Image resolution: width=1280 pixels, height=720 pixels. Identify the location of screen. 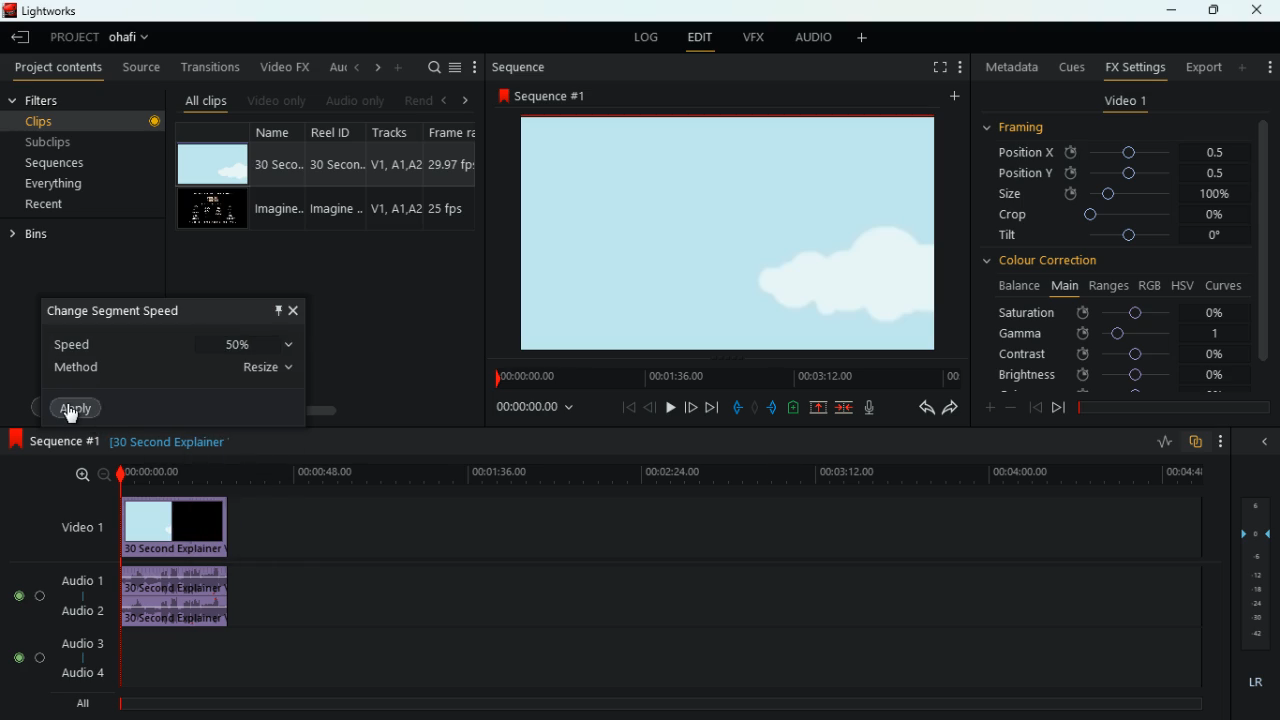
(935, 67).